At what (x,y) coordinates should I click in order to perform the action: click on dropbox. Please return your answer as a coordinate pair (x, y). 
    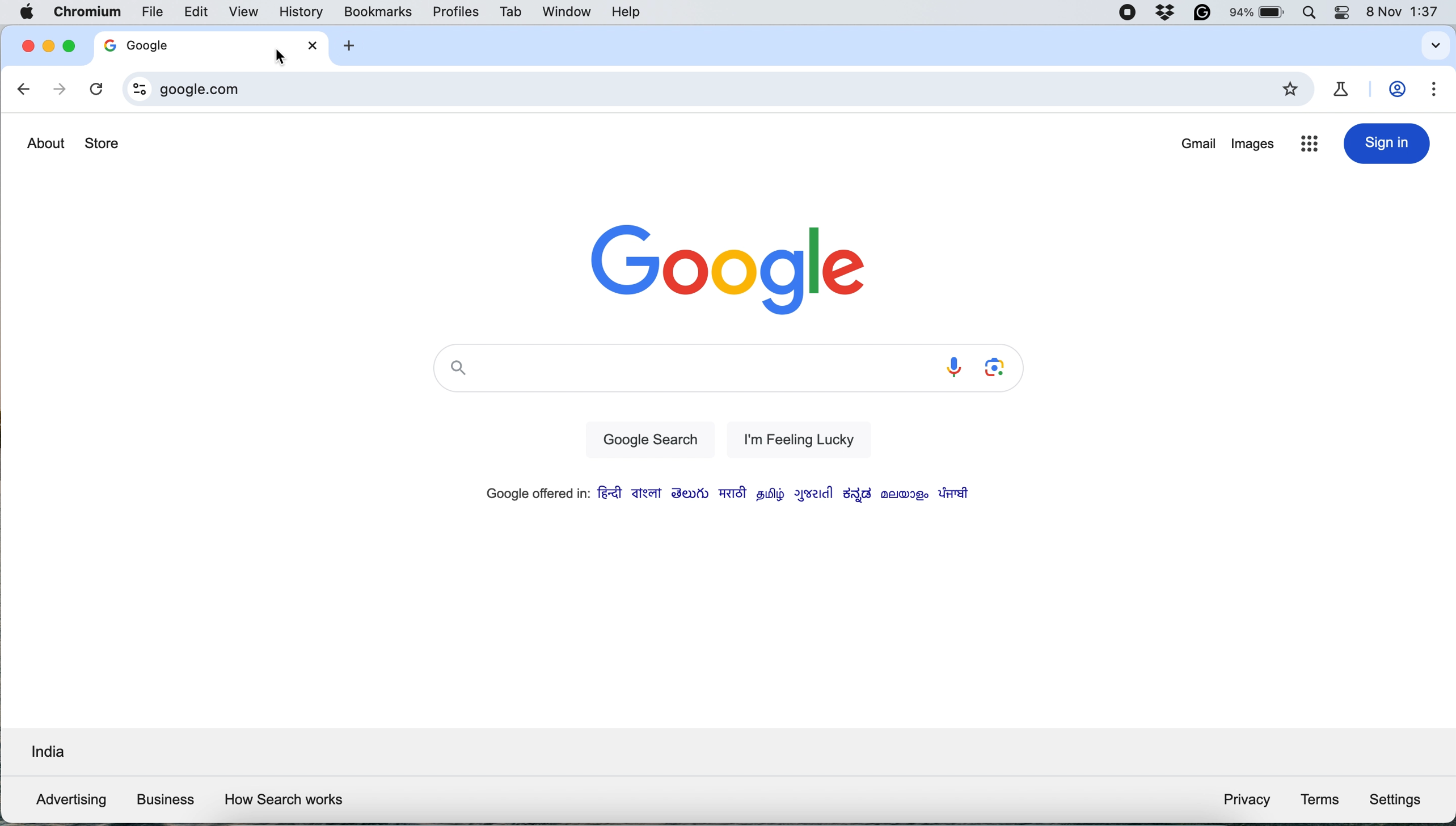
    Looking at the image, I should click on (1167, 14).